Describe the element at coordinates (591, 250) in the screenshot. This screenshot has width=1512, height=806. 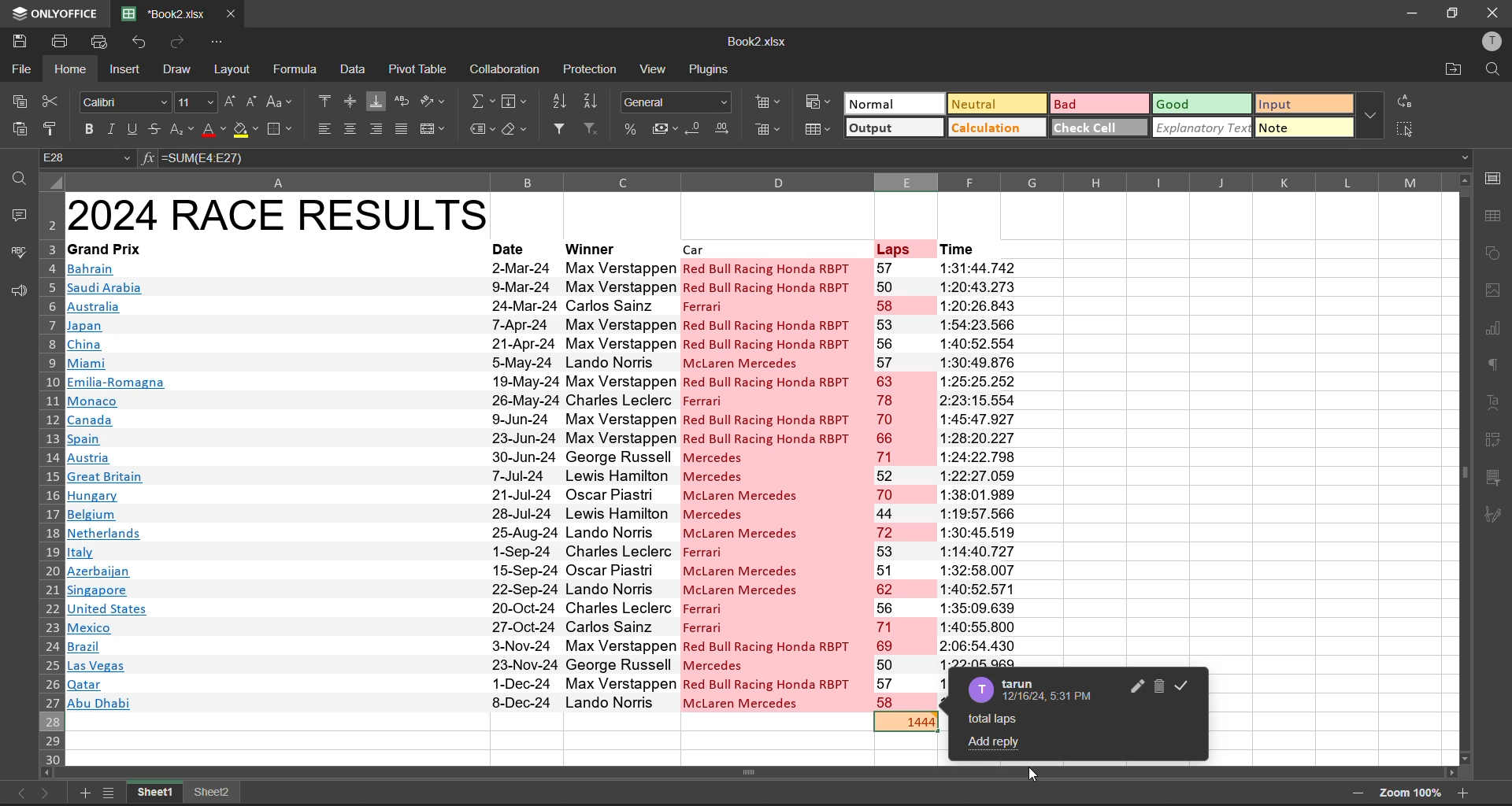
I see `winner` at that location.